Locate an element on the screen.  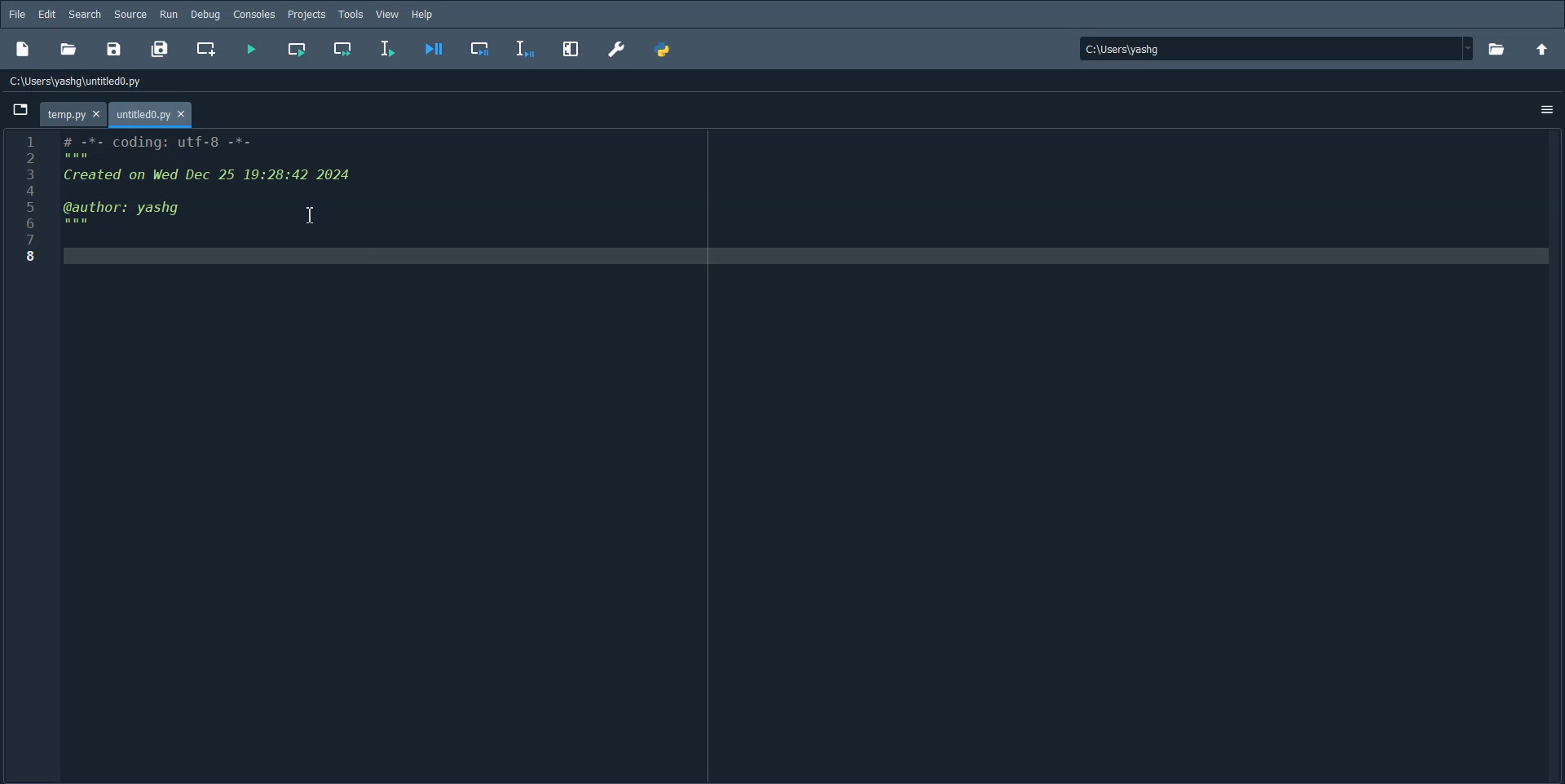
Debug is located at coordinates (206, 14).